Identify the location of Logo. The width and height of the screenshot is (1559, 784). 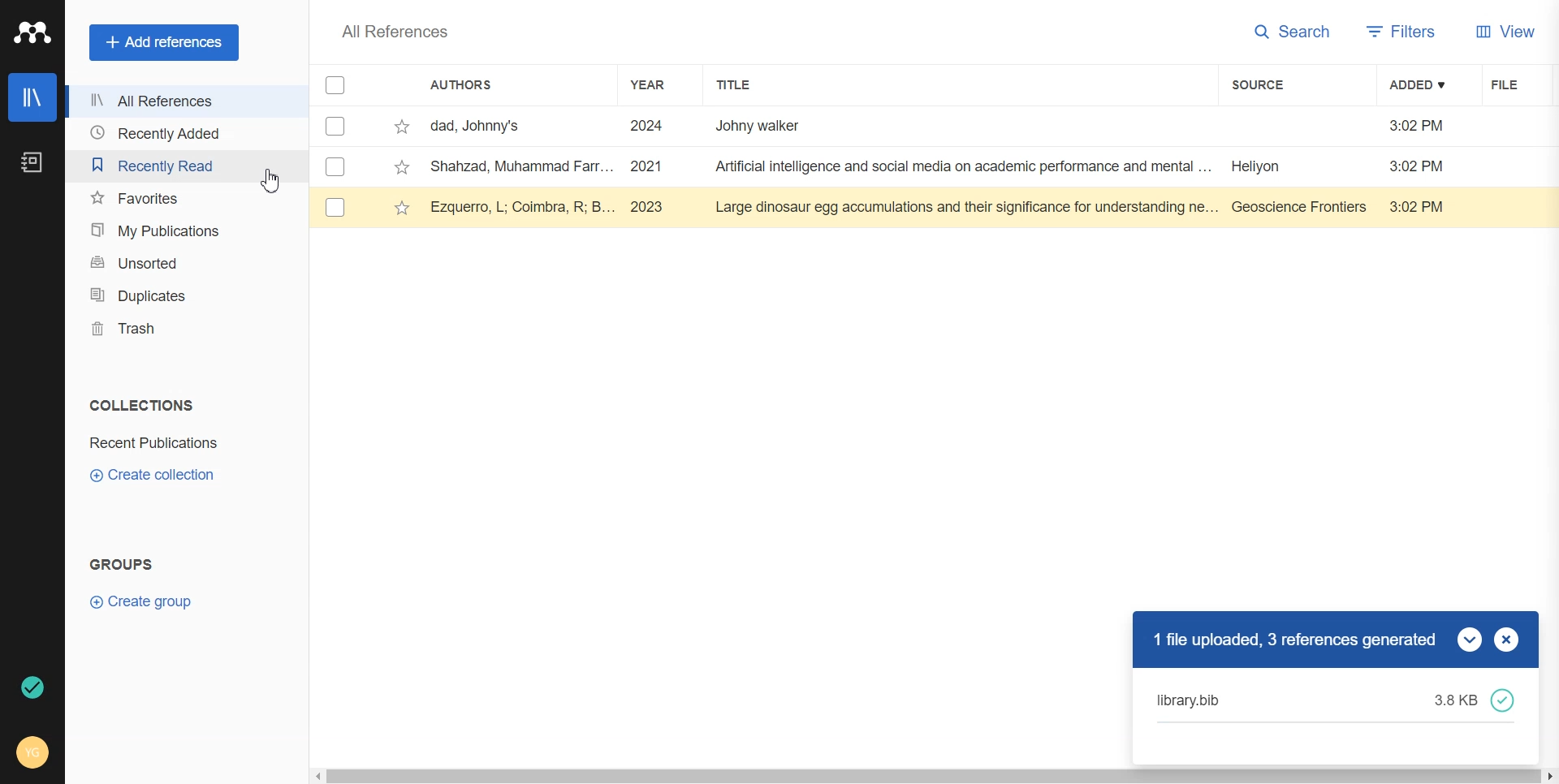
(33, 33).